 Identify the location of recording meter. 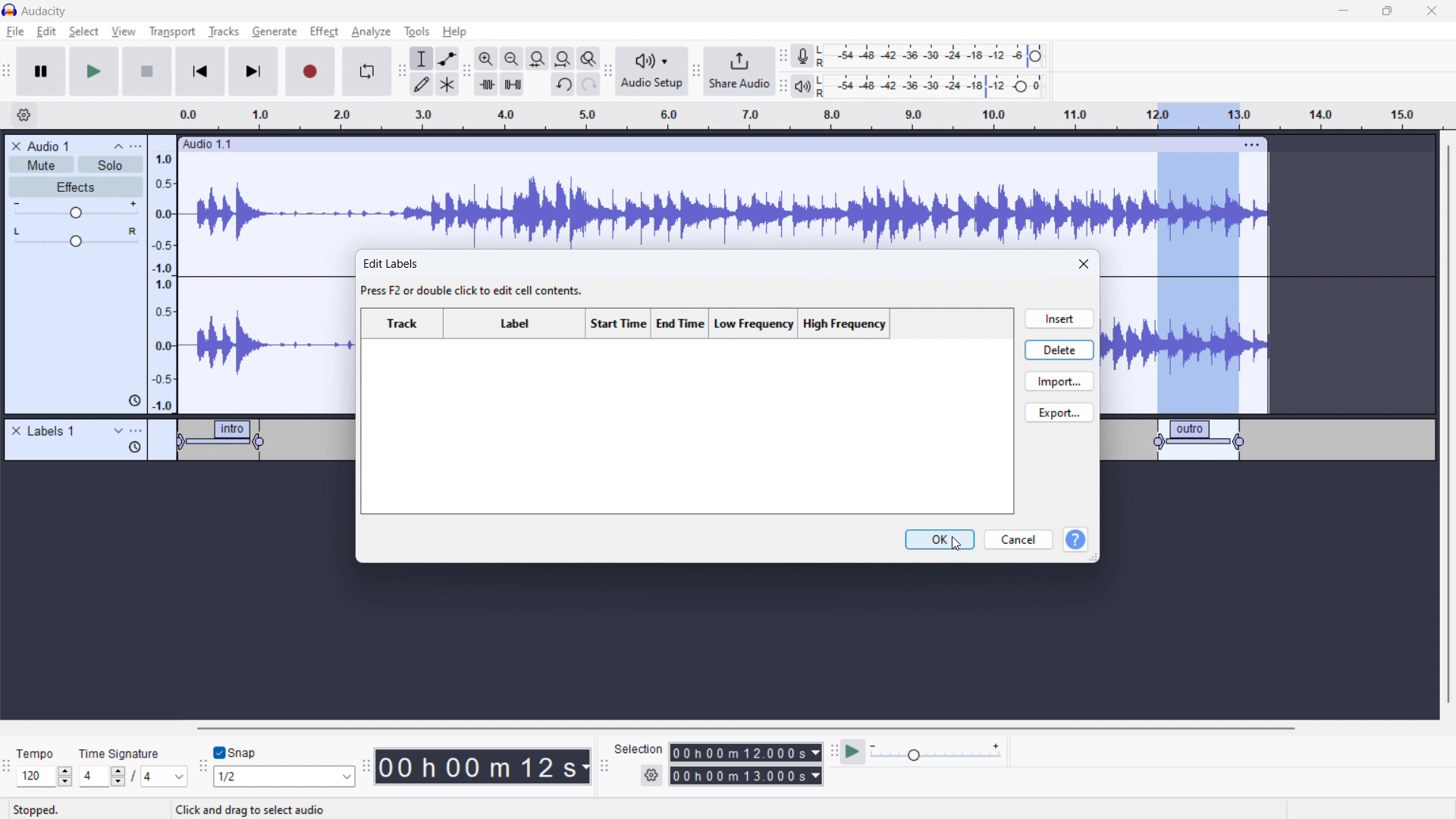
(803, 56).